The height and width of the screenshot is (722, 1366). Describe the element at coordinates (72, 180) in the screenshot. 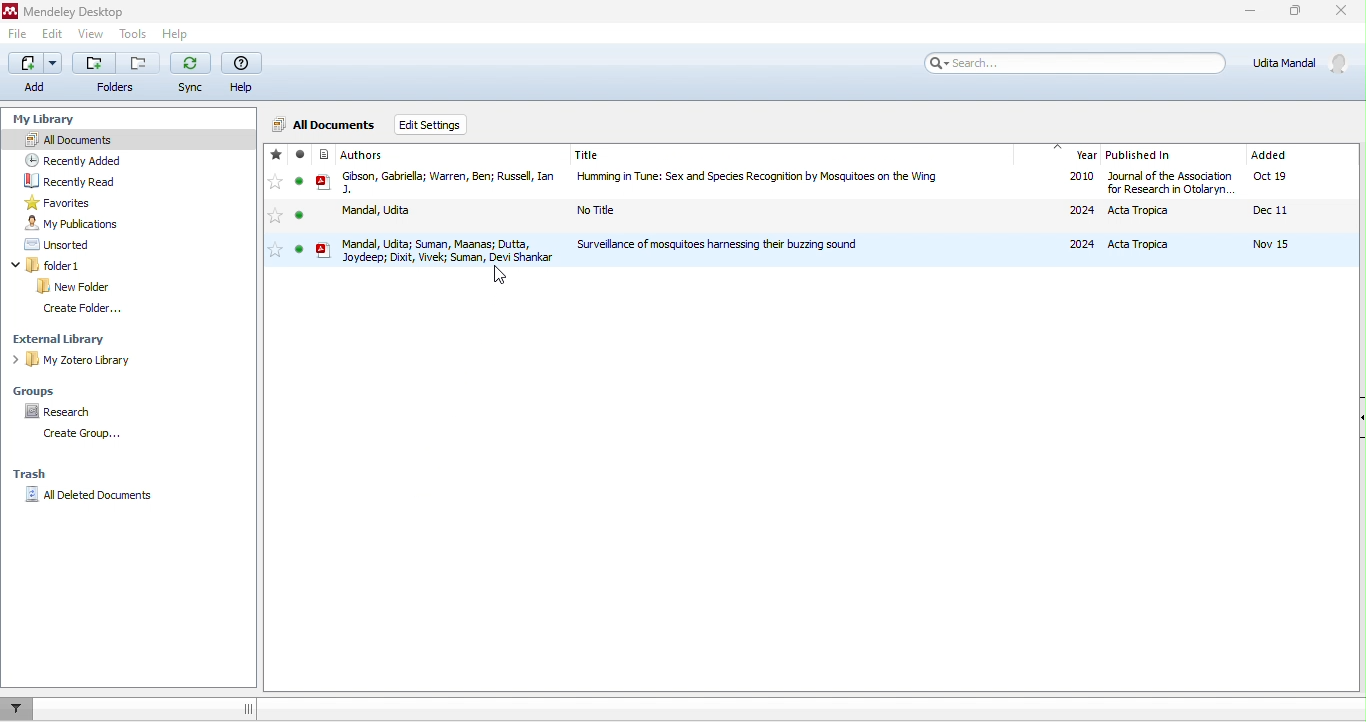

I see `recently read` at that location.